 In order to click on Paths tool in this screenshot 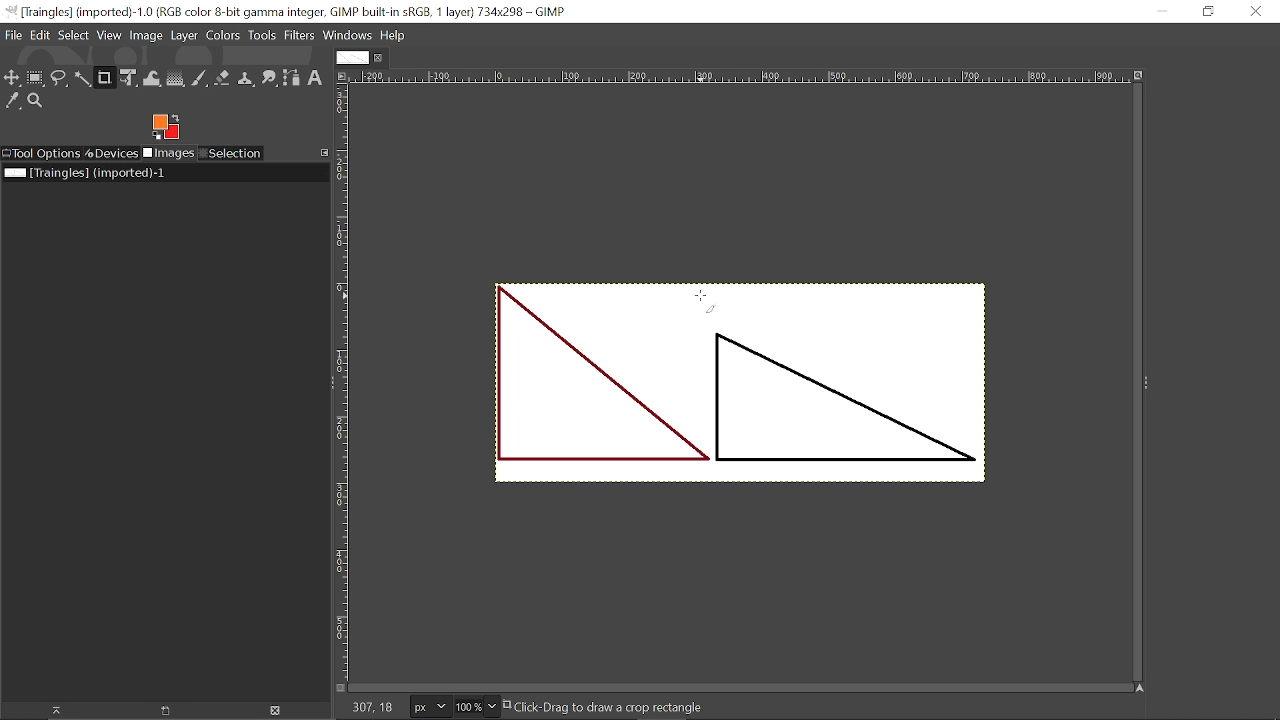, I will do `click(292, 78)`.